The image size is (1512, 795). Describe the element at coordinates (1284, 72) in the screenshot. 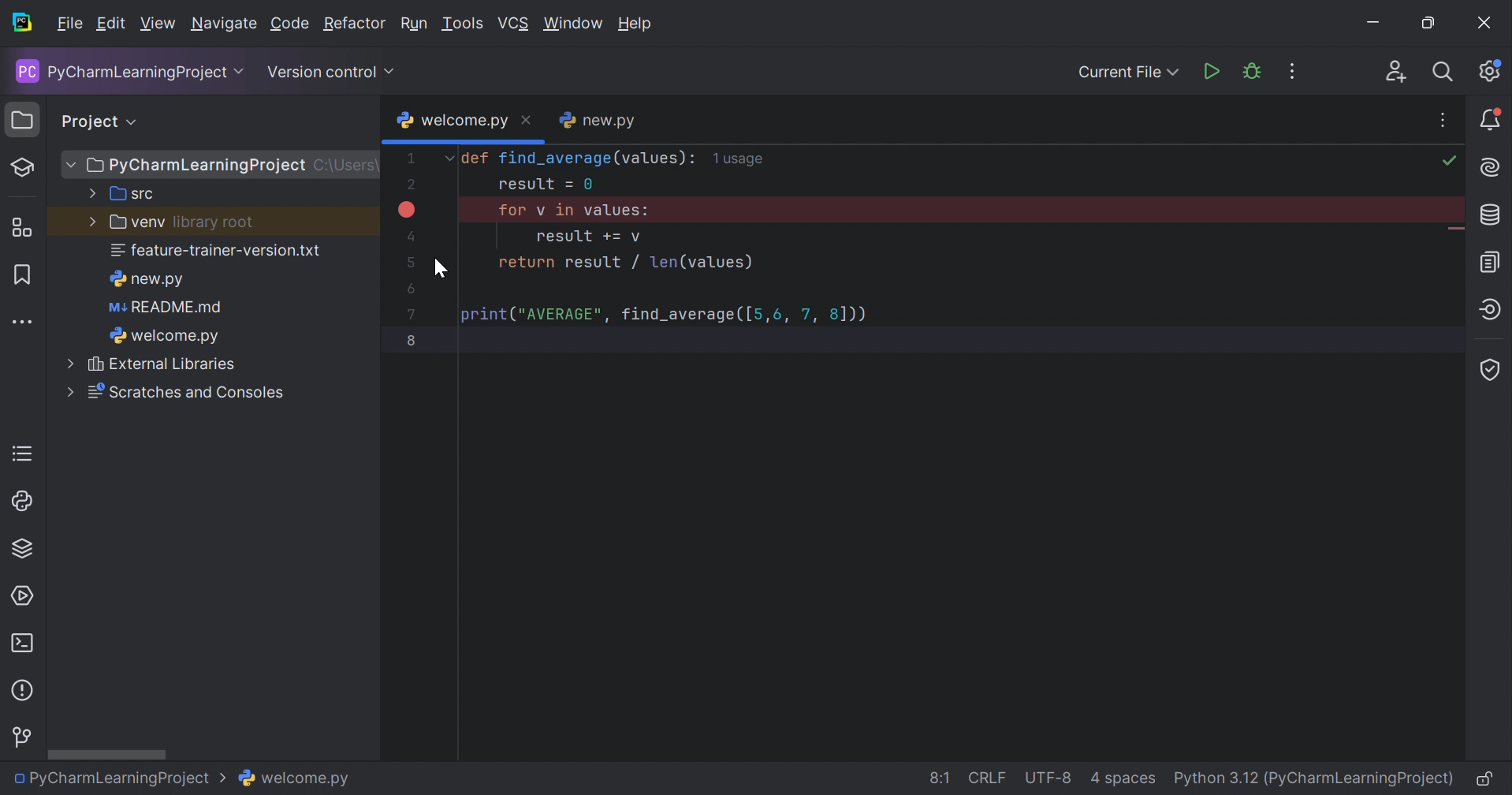

I see `More Actions` at that location.